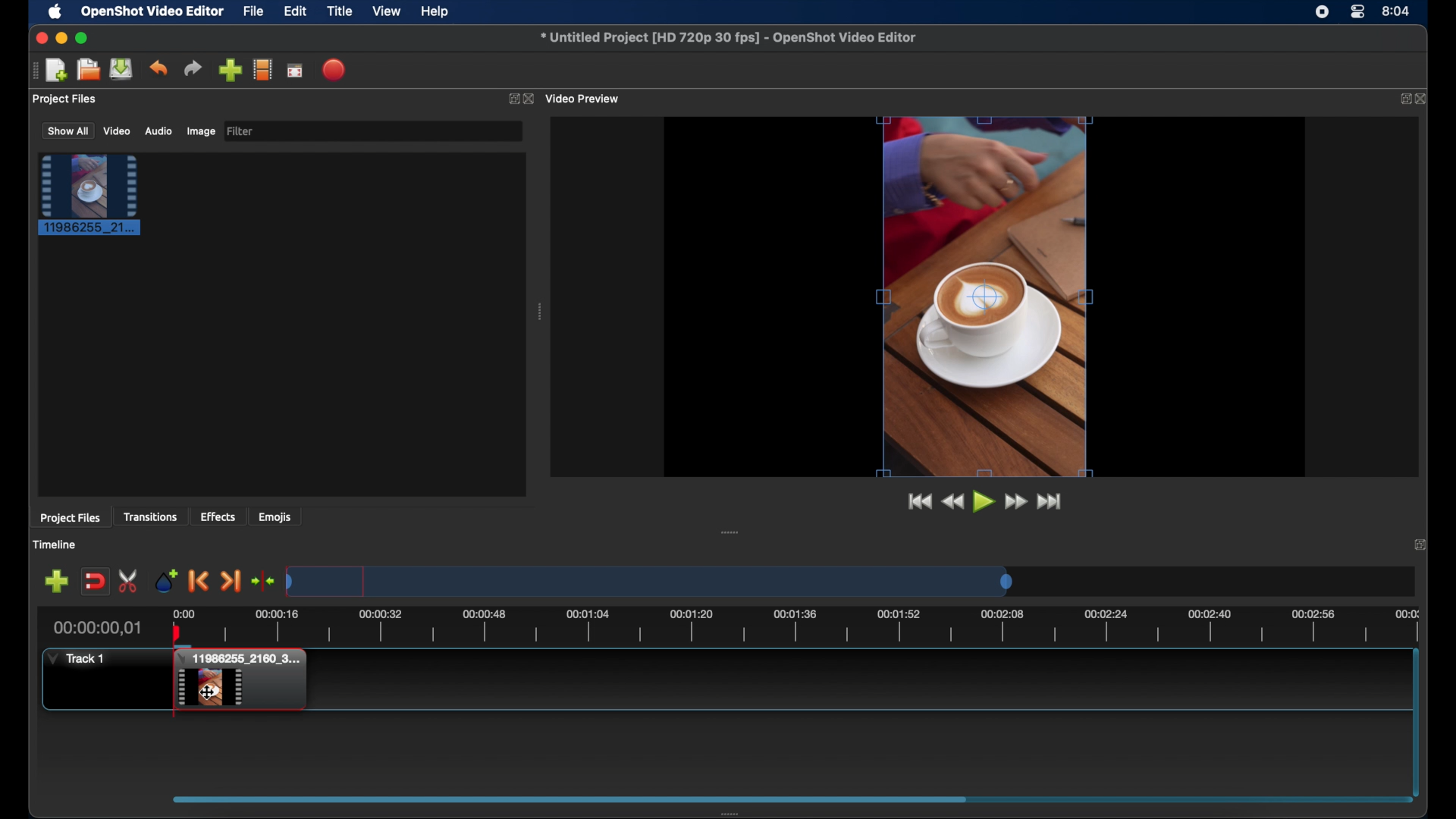  What do you see at coordinates (77, 658) in the screenshot?
I see `track1` at bounding box center [77, 658].